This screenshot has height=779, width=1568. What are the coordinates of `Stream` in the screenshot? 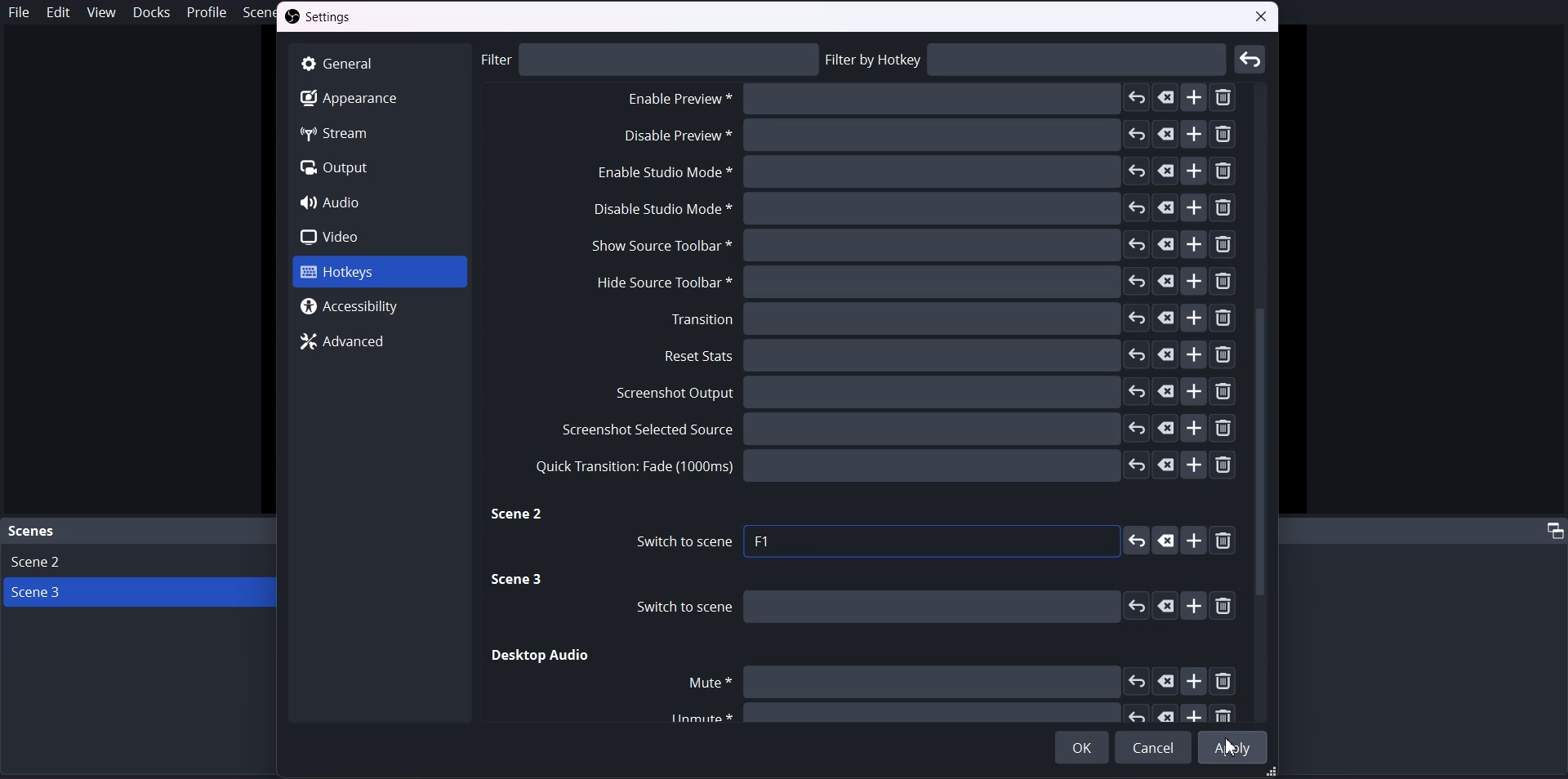 It's located at (378, 132).